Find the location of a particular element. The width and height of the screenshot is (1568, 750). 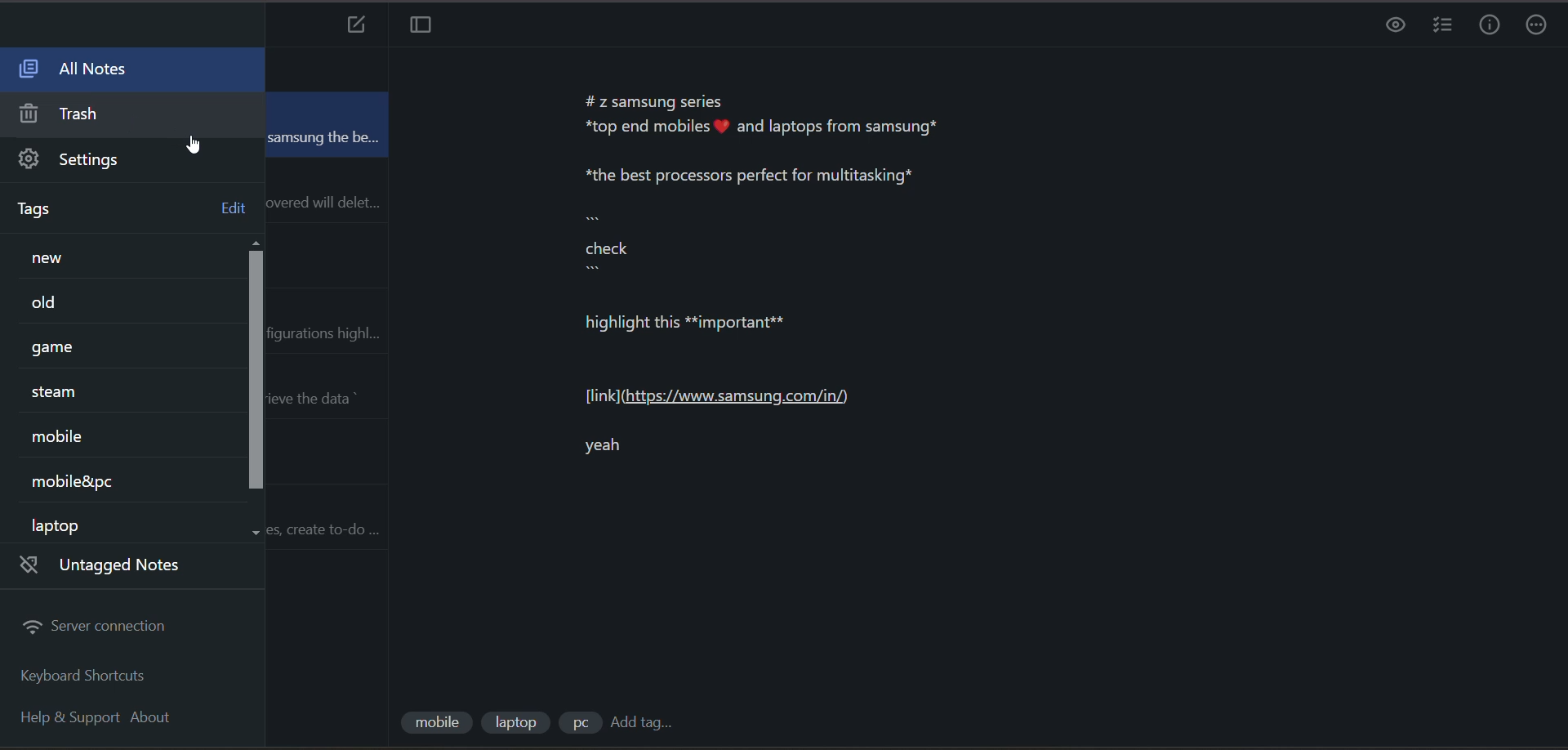

help and support is located at coordinates (60, 718).